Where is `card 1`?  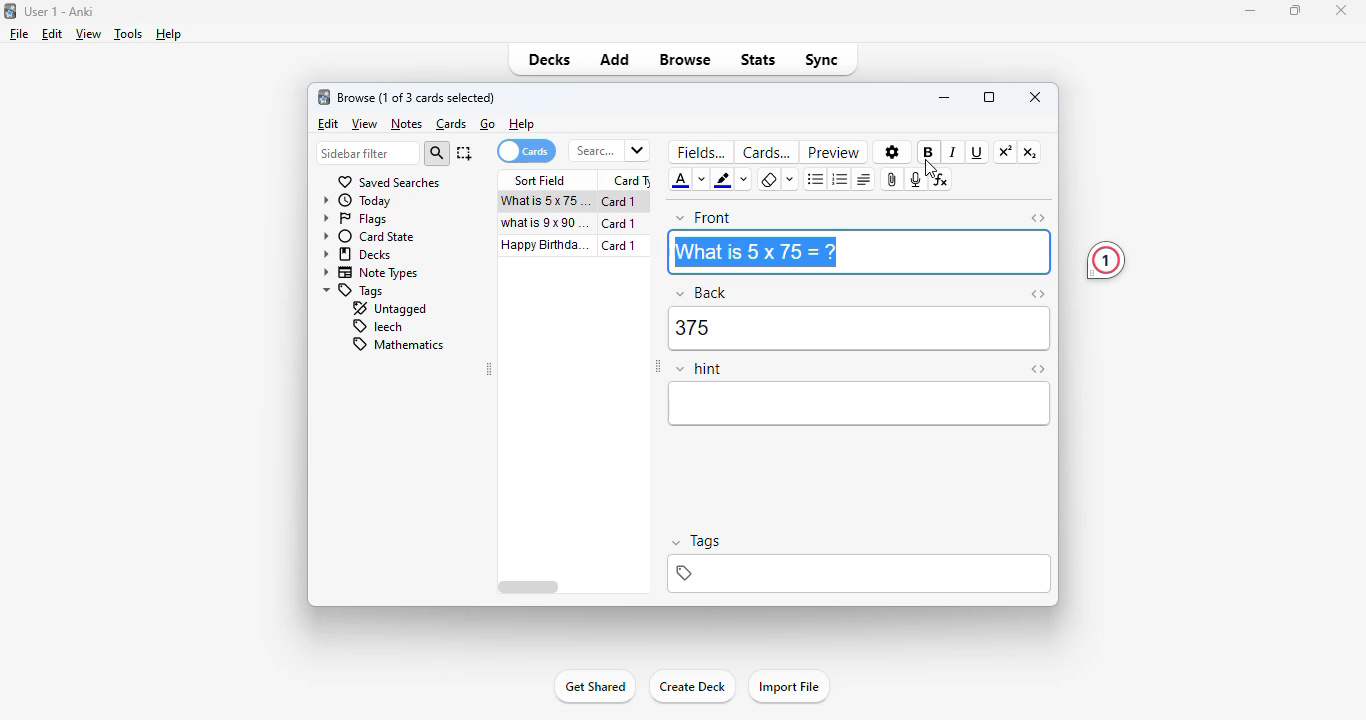
card 1 is located at coordinates (619, 246).